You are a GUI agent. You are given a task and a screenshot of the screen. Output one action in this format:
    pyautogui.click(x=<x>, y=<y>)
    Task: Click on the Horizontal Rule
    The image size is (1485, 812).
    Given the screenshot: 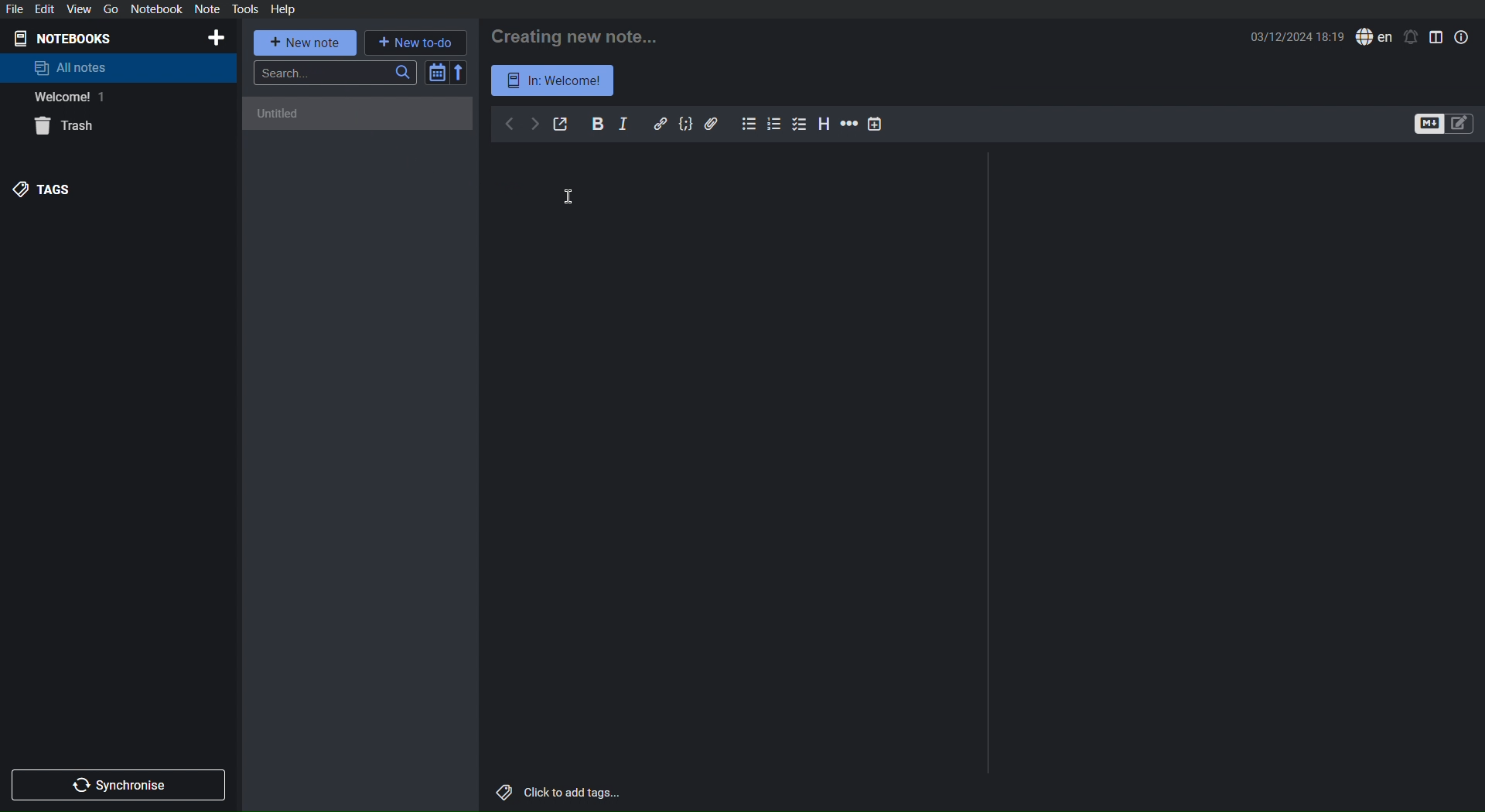 What is the action you would take?
    pyautogui.click(x=848, y=125)
    